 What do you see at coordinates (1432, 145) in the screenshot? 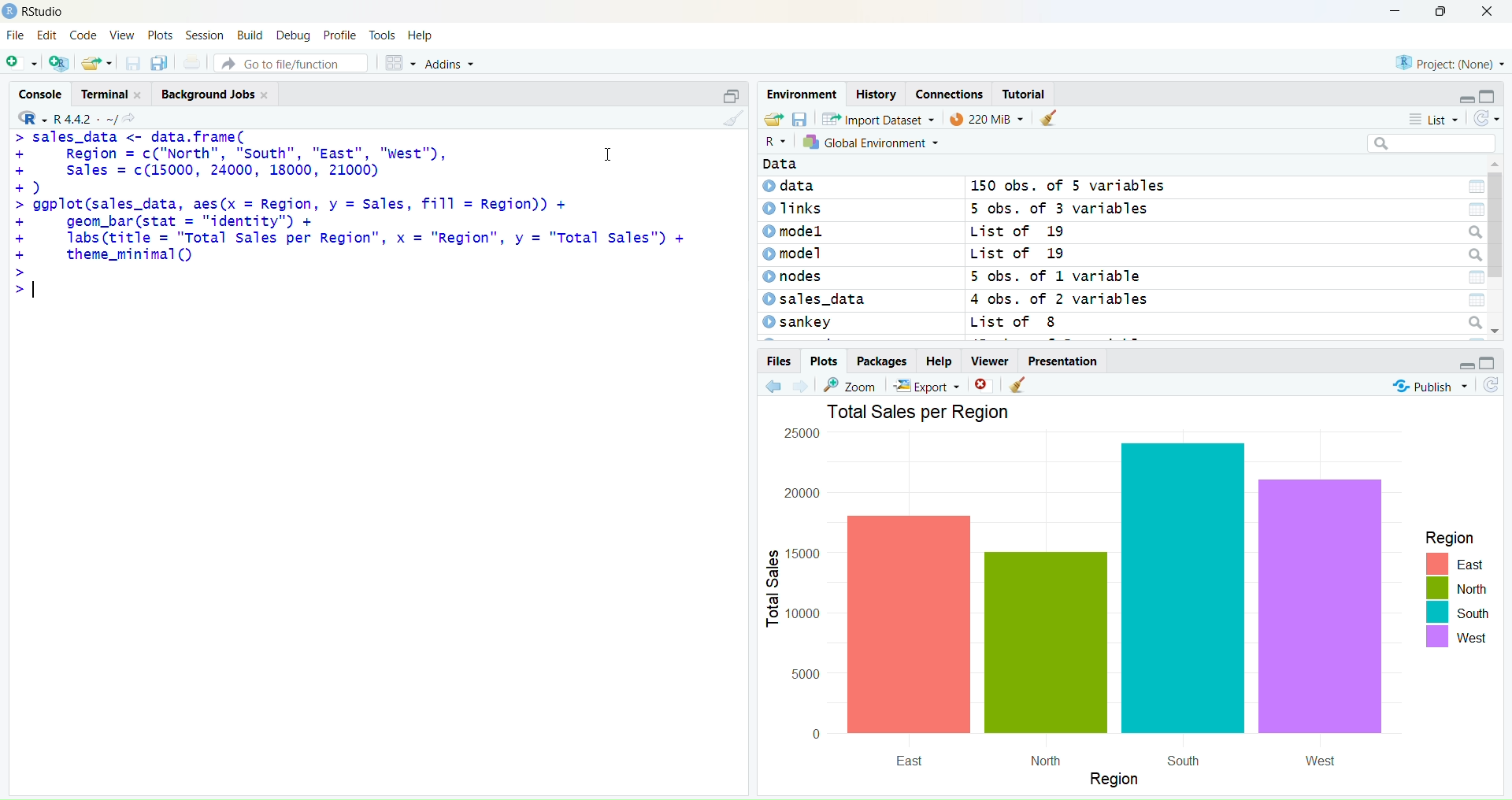
I see `search` at bounding box center [1432, 145].